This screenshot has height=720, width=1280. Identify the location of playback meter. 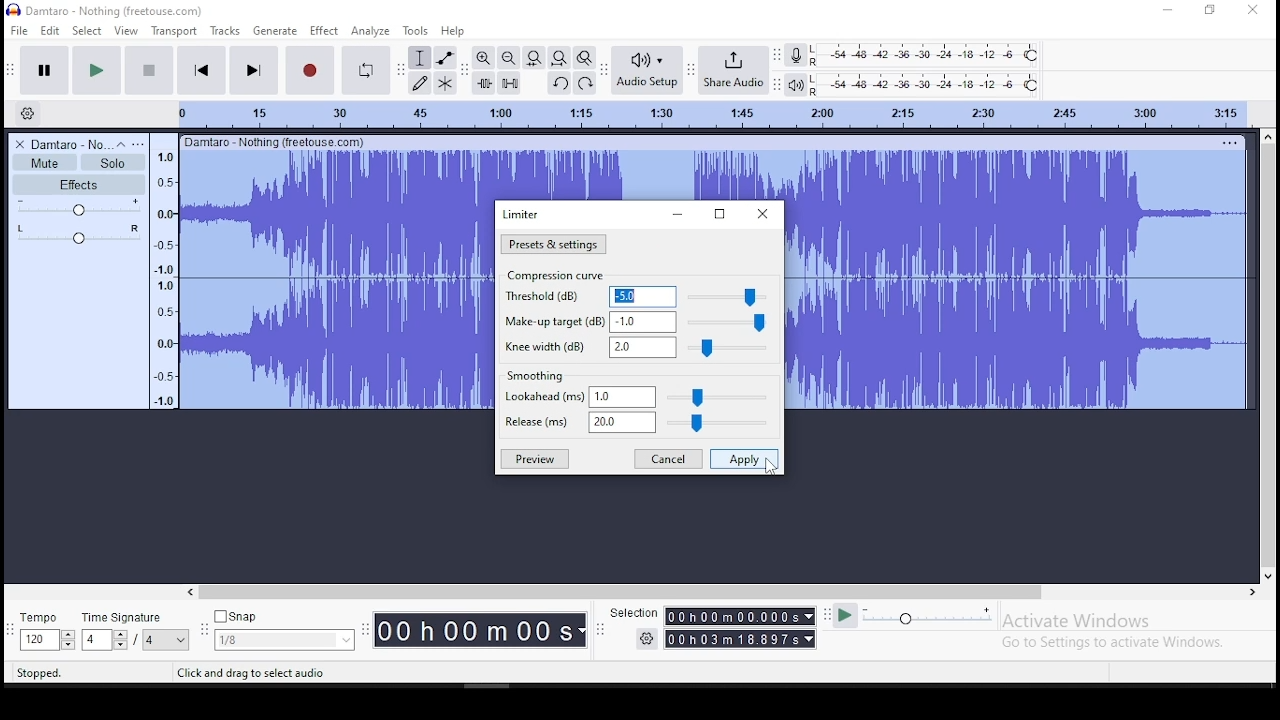
(794, 85).